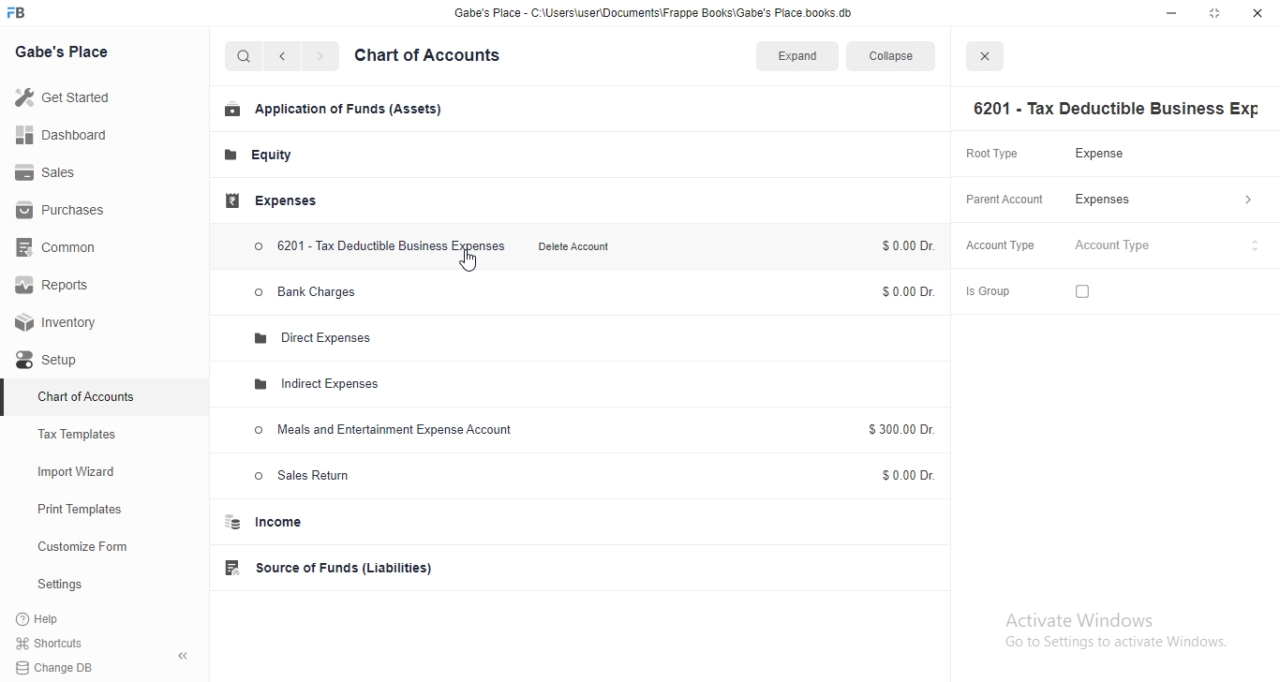 The image size is (1280, 682). What do you see at coordinates (66, 212) in the screenshot?
I see `Purchases` at bounding box center [66, 212].